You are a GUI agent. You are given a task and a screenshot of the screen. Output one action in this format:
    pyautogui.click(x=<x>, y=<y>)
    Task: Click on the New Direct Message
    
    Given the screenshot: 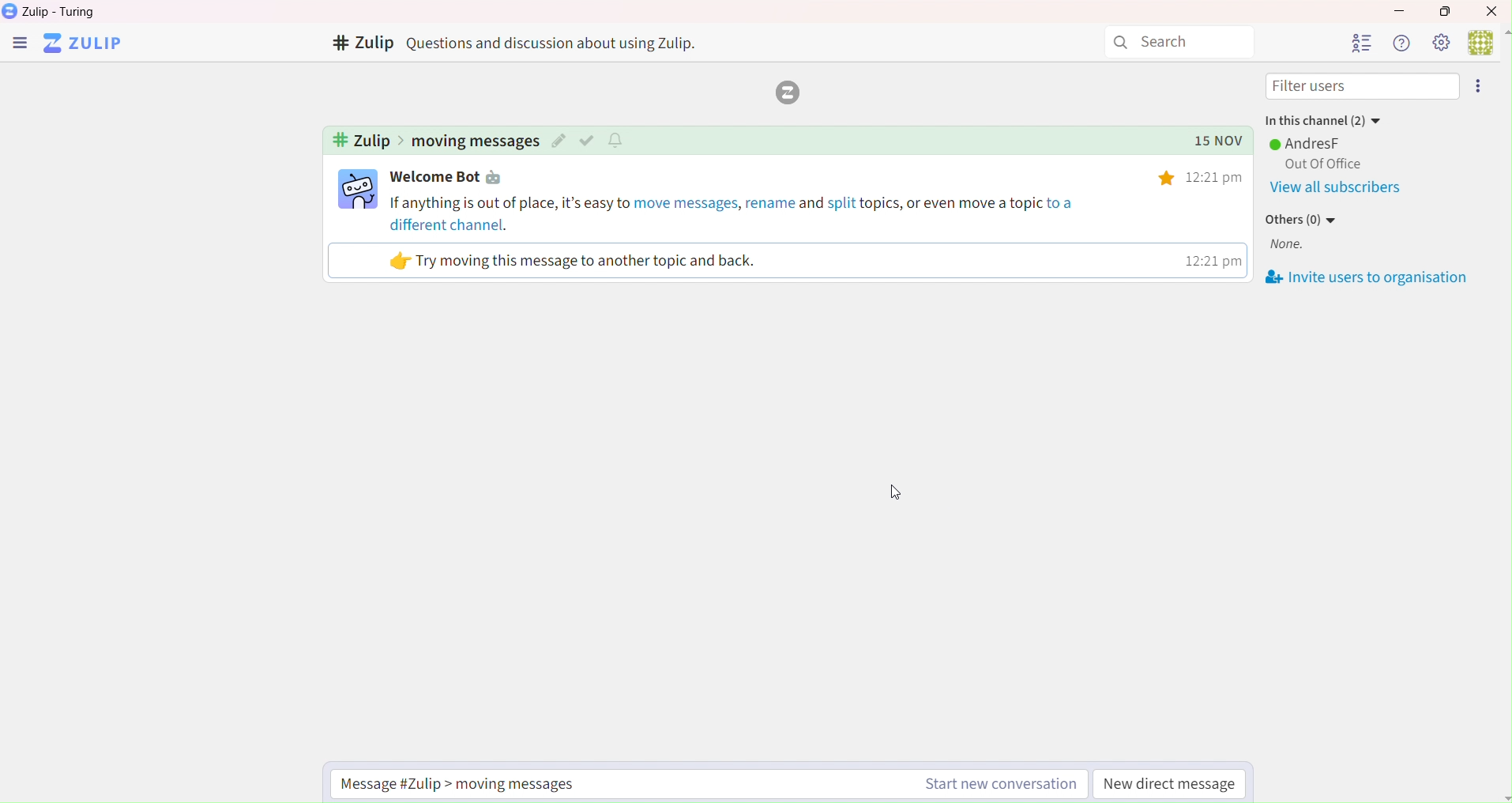 What is the action you would take?
    pyautogui.click(x=1171, y=786)
    